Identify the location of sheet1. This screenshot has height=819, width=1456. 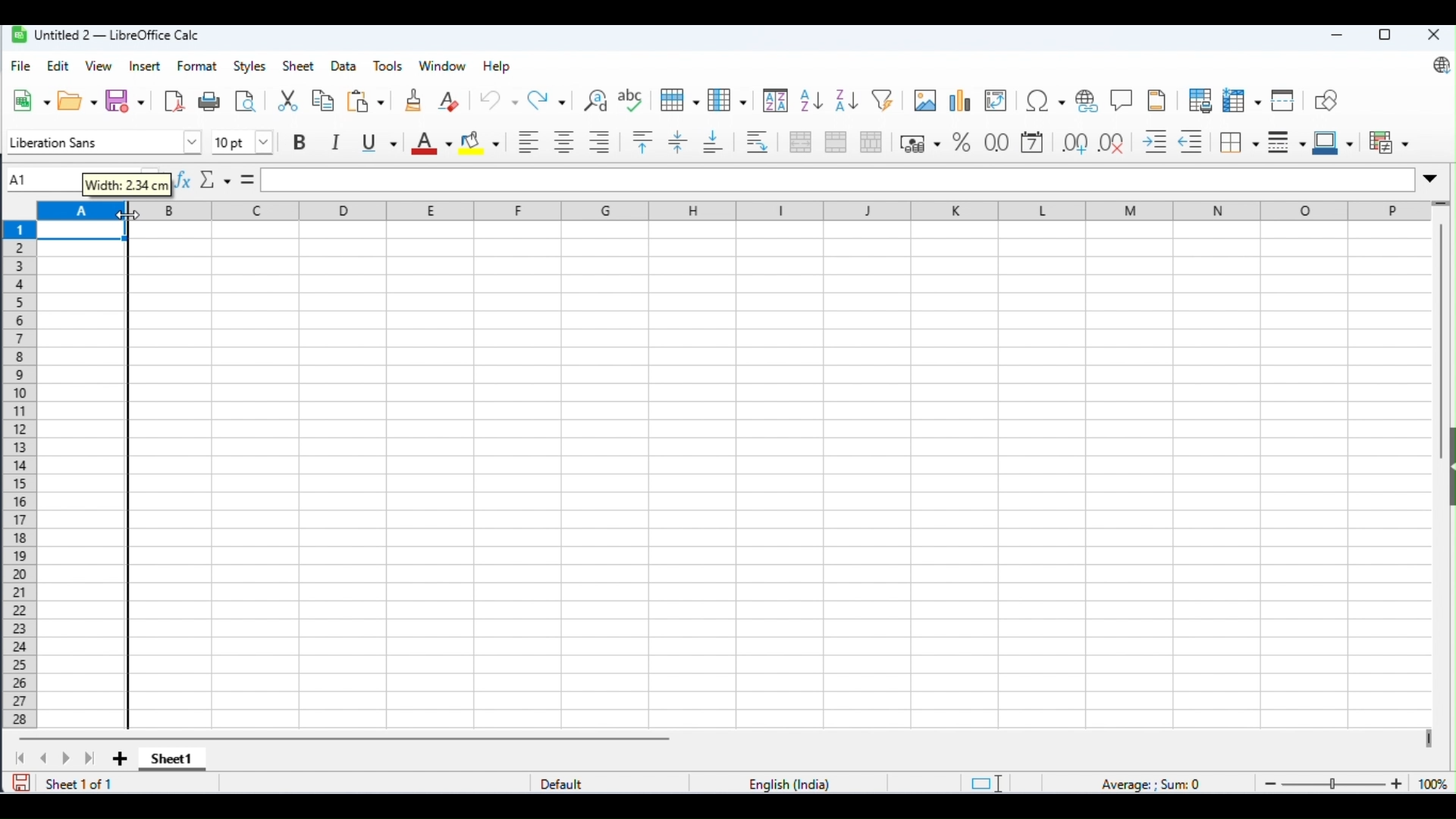
(169, 761).